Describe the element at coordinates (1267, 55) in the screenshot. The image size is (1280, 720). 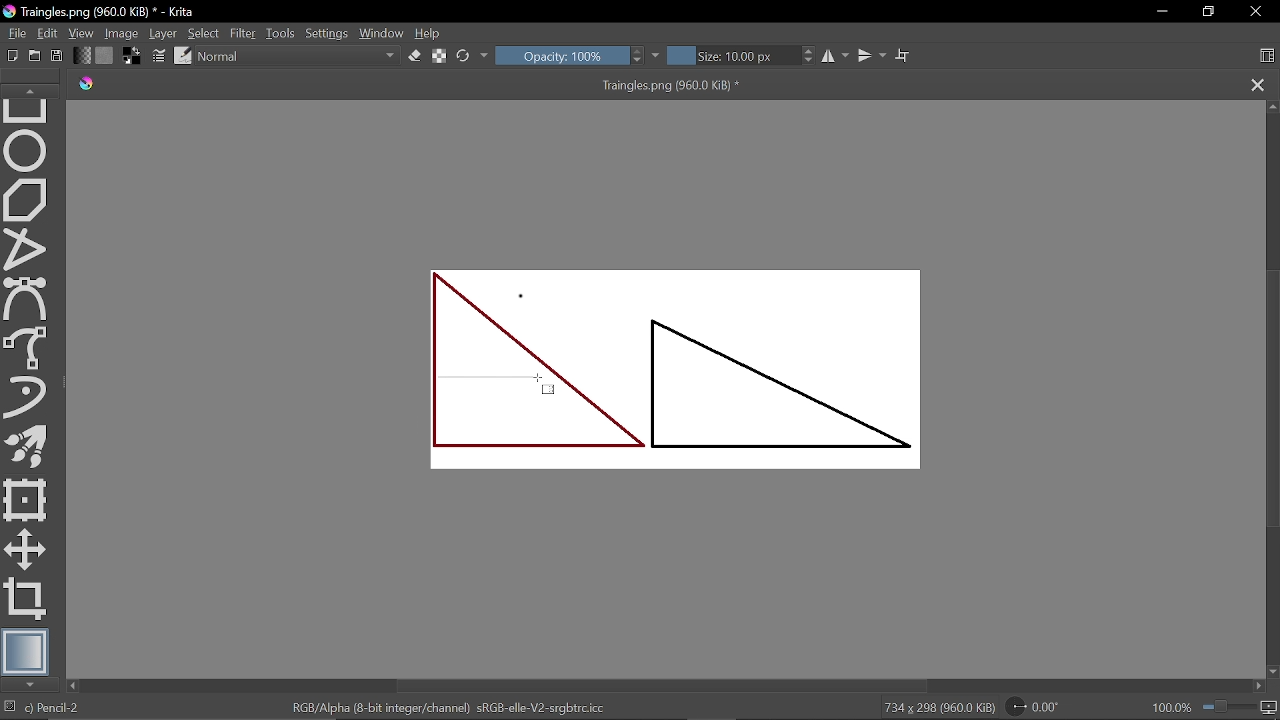
I see `Choose workspace` at that location.